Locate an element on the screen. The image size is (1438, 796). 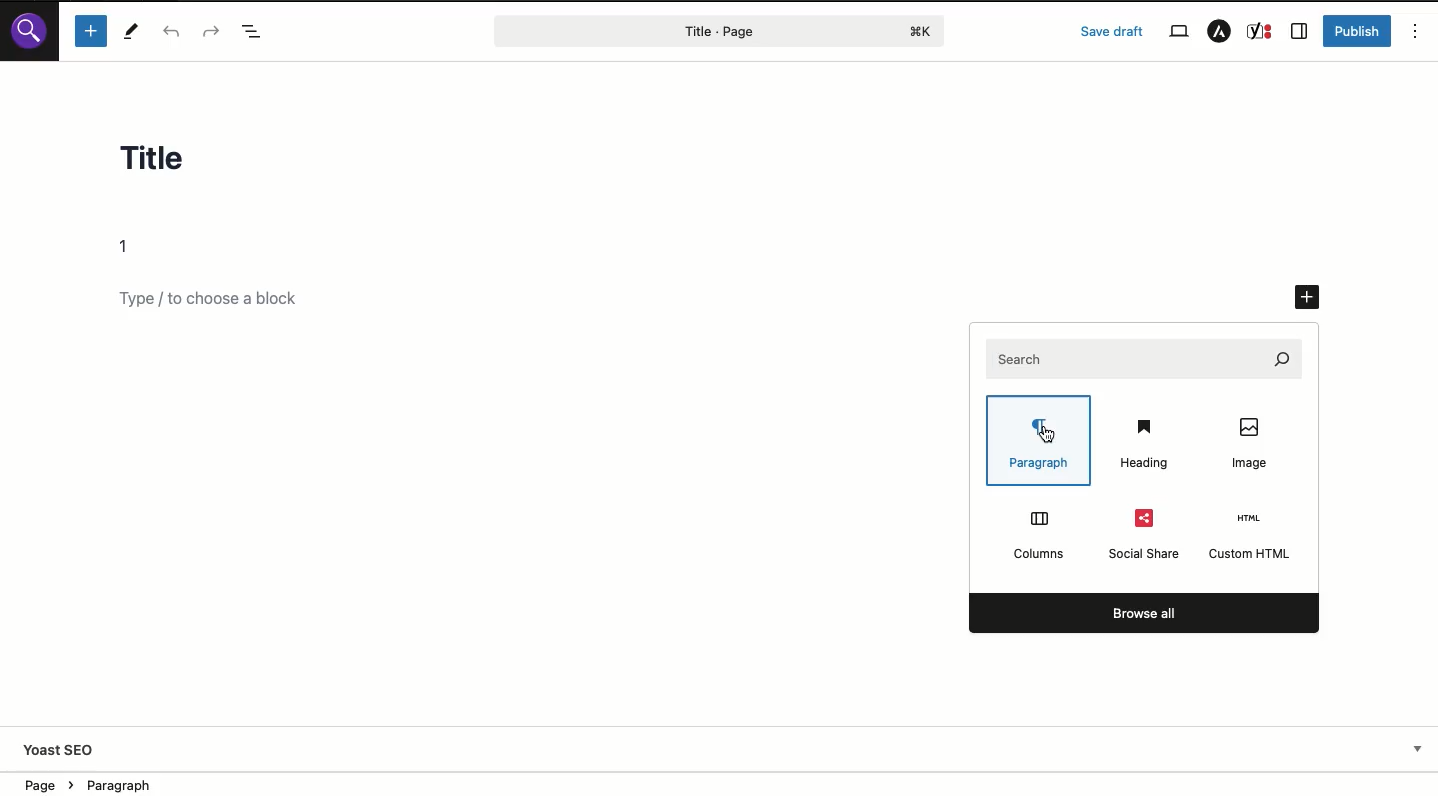
Add block is located at coordinates (226, 300).